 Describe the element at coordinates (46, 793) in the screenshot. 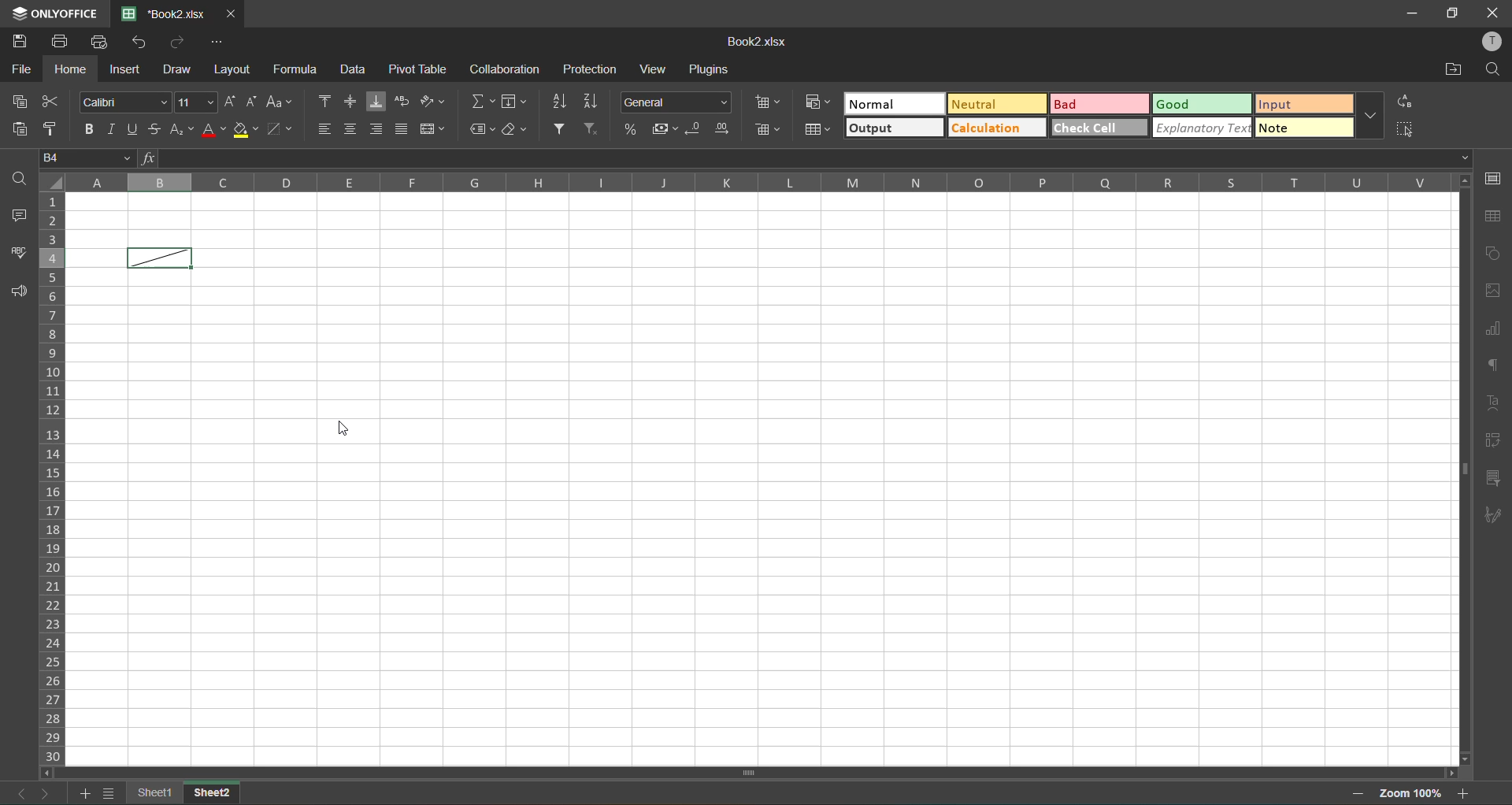

I see `next` at that location.